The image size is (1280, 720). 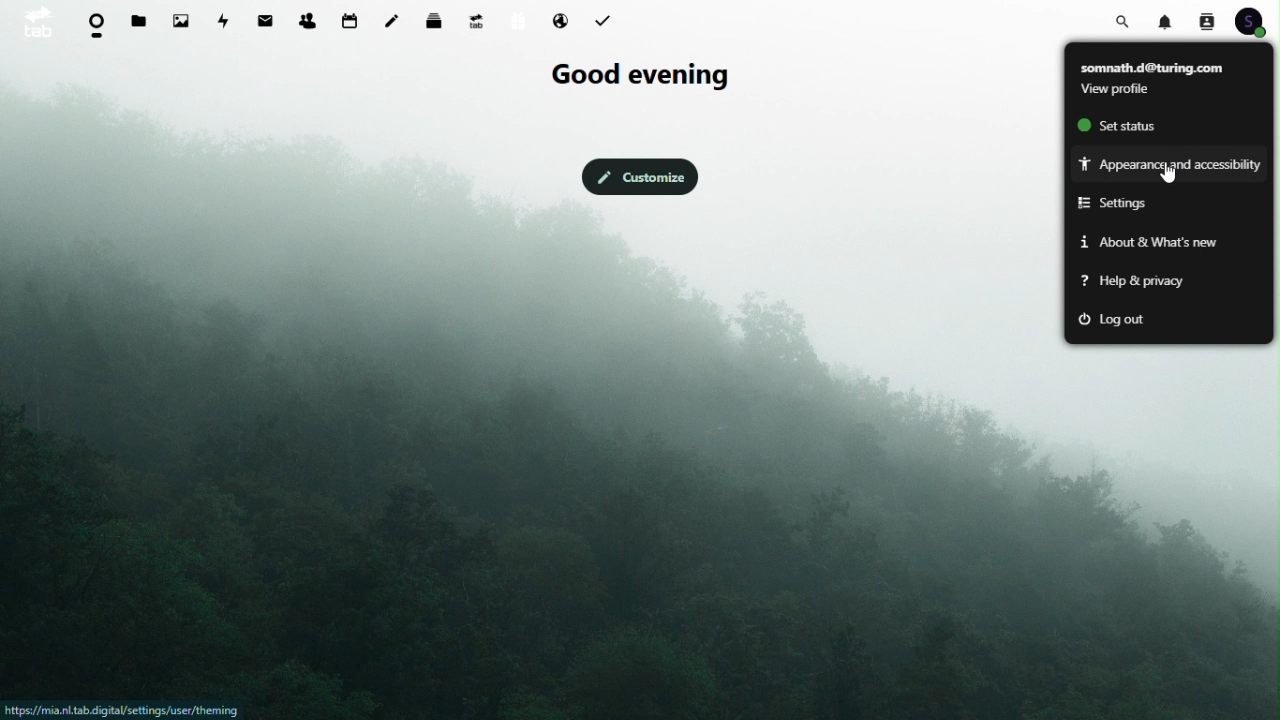 I want to click on Help and privacy, so click(x=1135, y=285).